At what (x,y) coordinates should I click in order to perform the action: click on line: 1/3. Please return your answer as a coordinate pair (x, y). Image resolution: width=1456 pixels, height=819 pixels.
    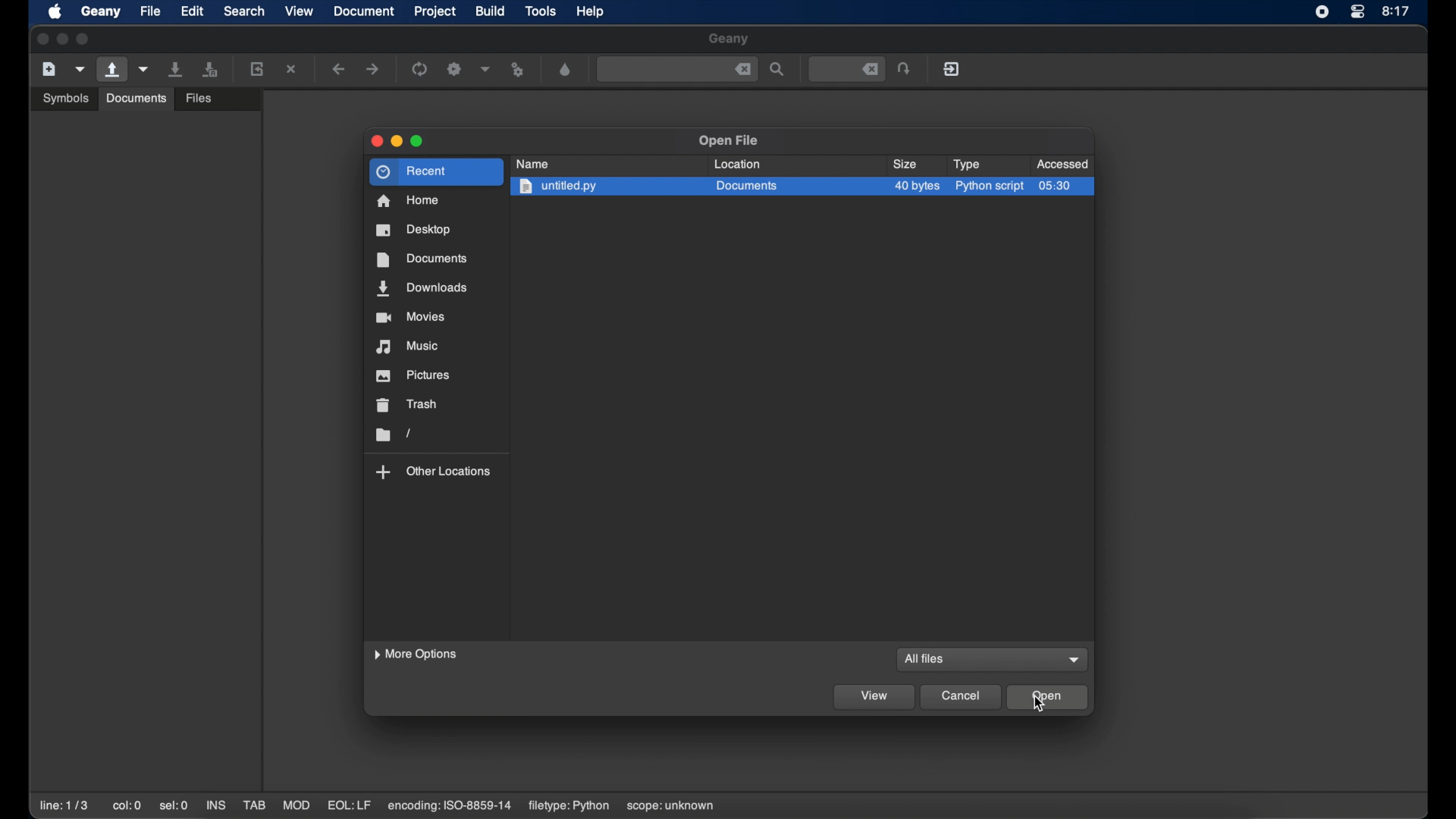
    Looking at the image, I should click on (64, 805).